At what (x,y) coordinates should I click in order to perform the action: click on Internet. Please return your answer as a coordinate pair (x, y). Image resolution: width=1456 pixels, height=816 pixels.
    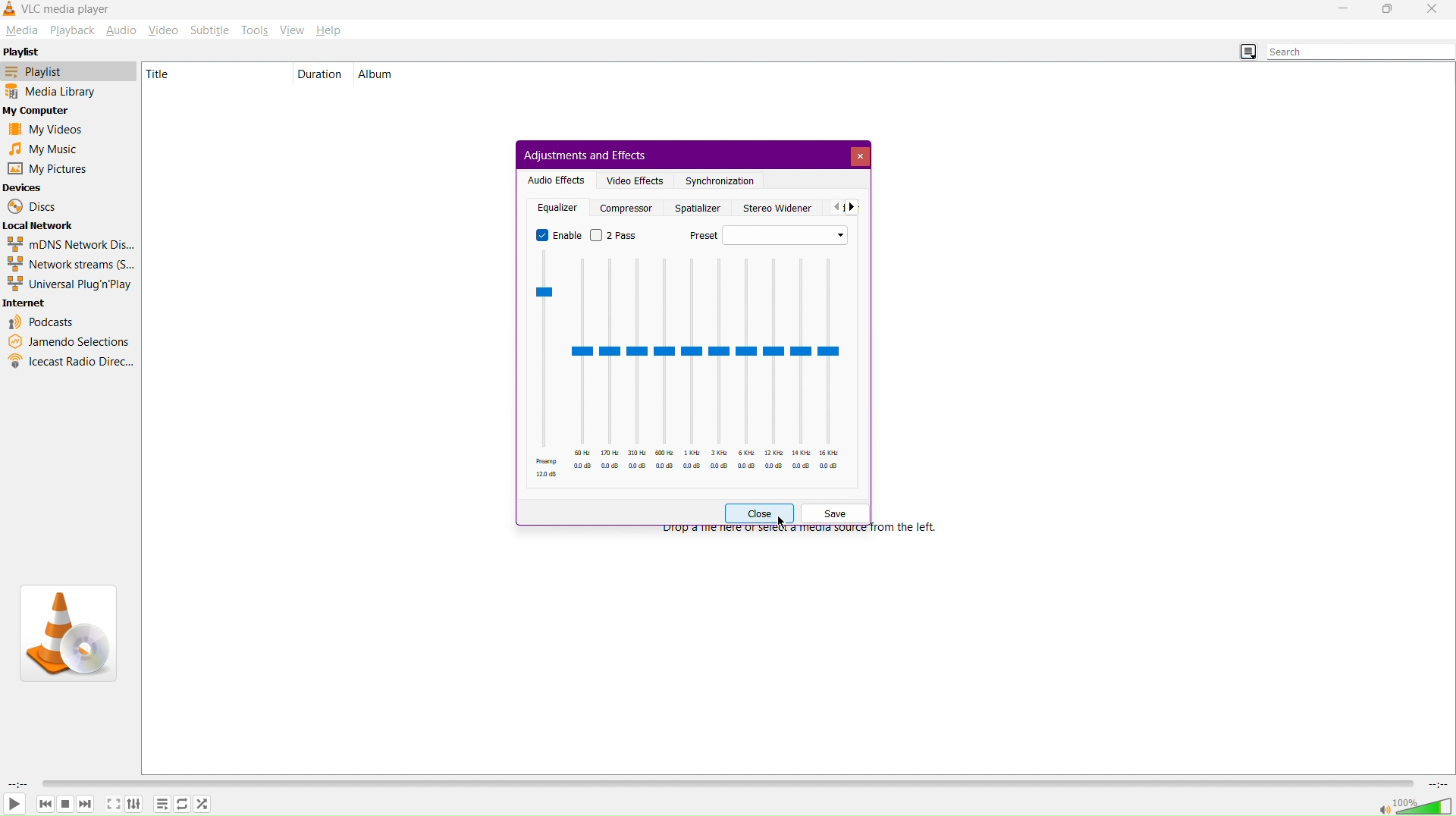
    Looking at the image, I should click on (32, 302).